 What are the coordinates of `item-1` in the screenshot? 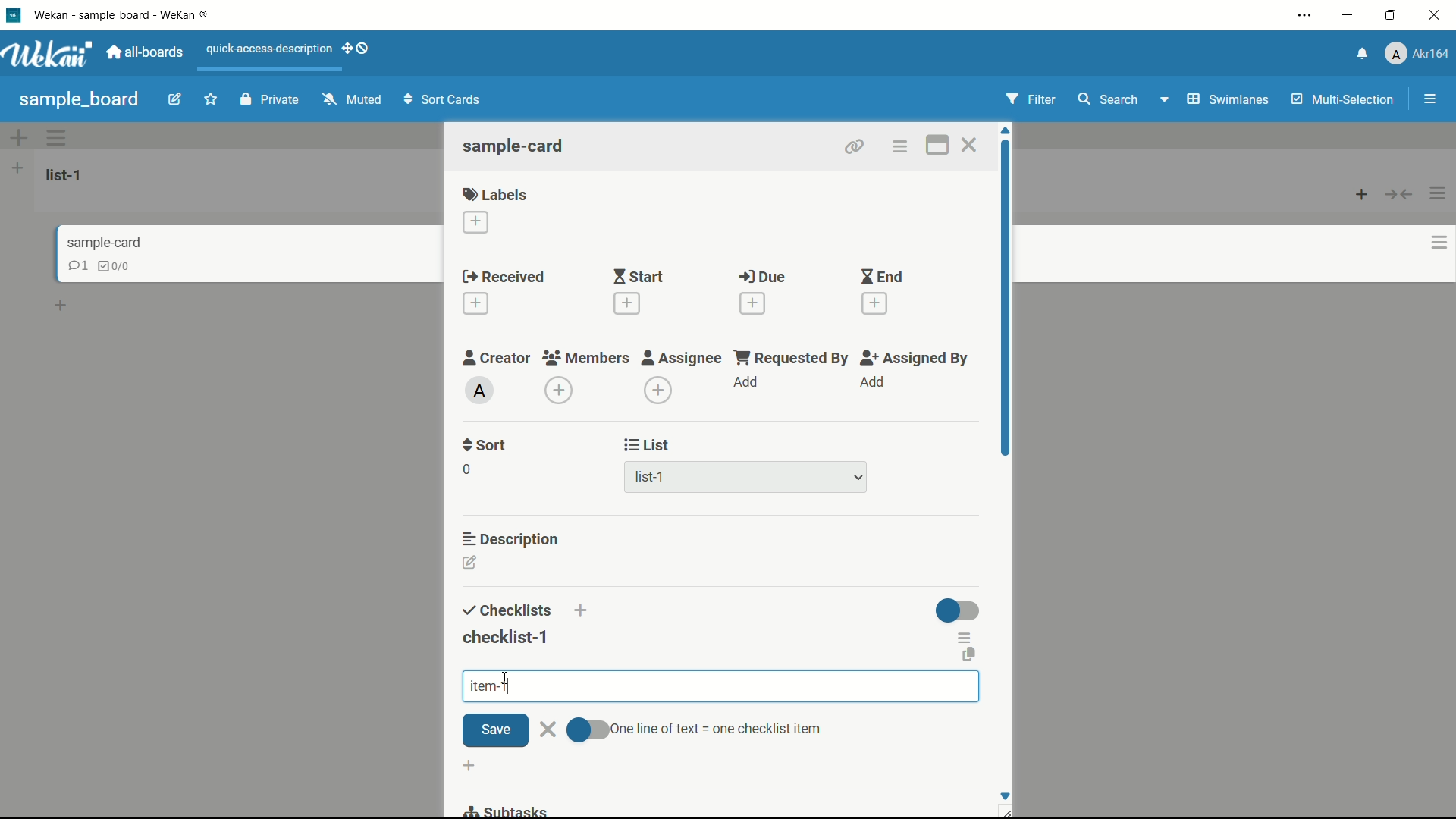 It's located at (567, 686).